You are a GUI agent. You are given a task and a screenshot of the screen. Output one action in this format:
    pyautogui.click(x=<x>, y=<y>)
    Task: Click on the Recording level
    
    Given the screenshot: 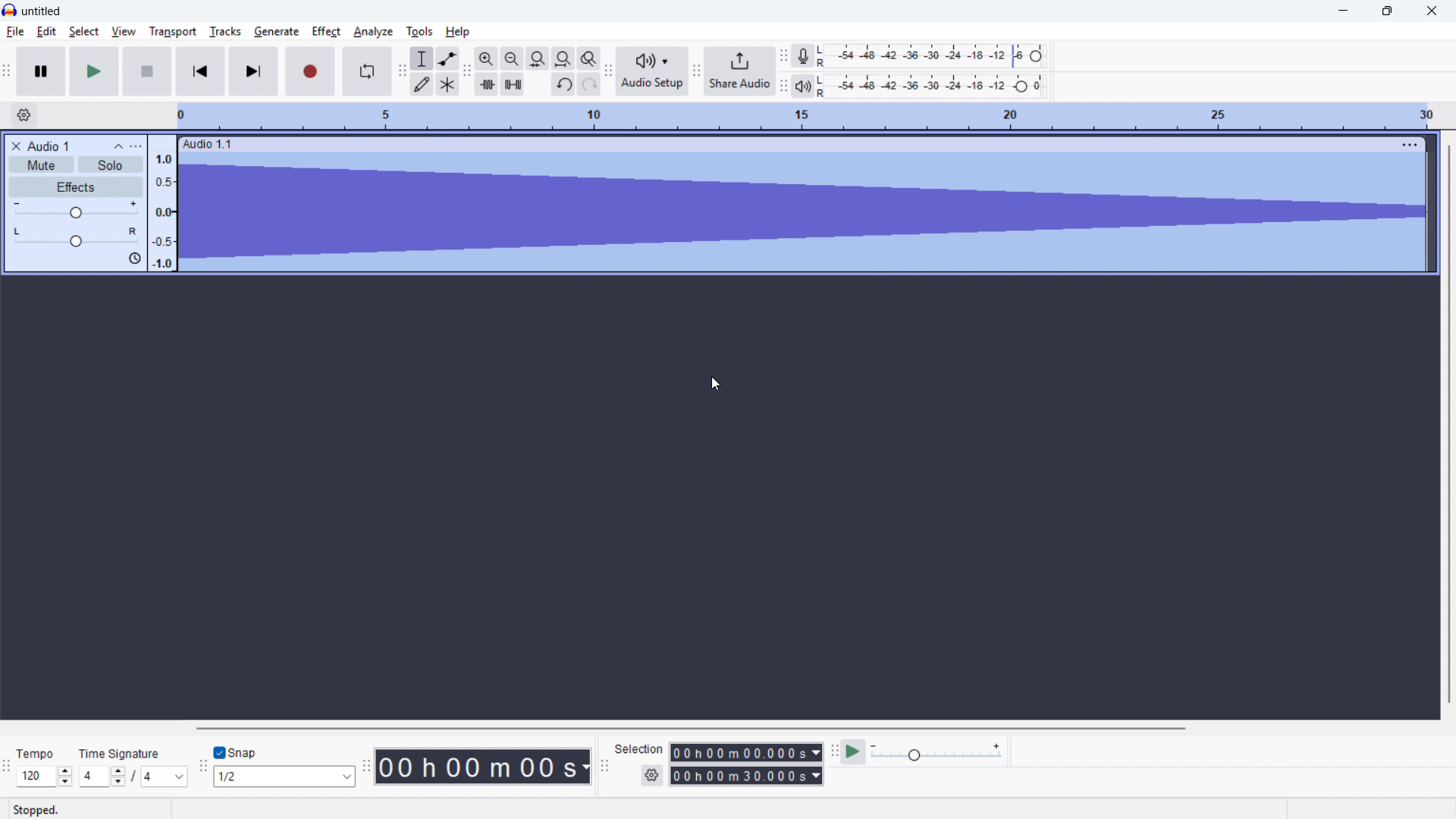 What is the action you would take?
    pyautogui.click(x=935, y=56)
    